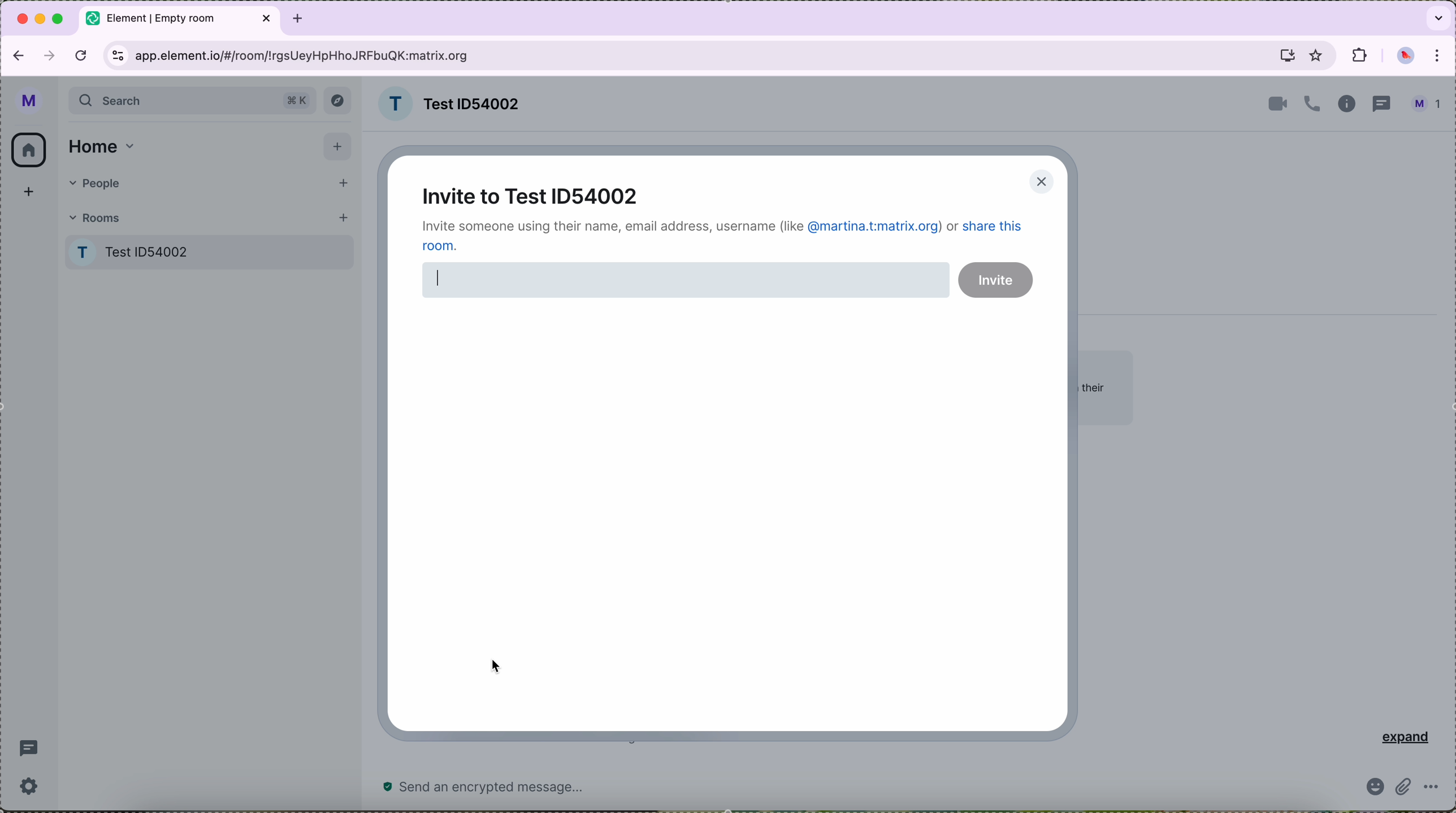 The height and width of the screenshot is (813, 1456). I want to click on invite button, so click(996, 280).